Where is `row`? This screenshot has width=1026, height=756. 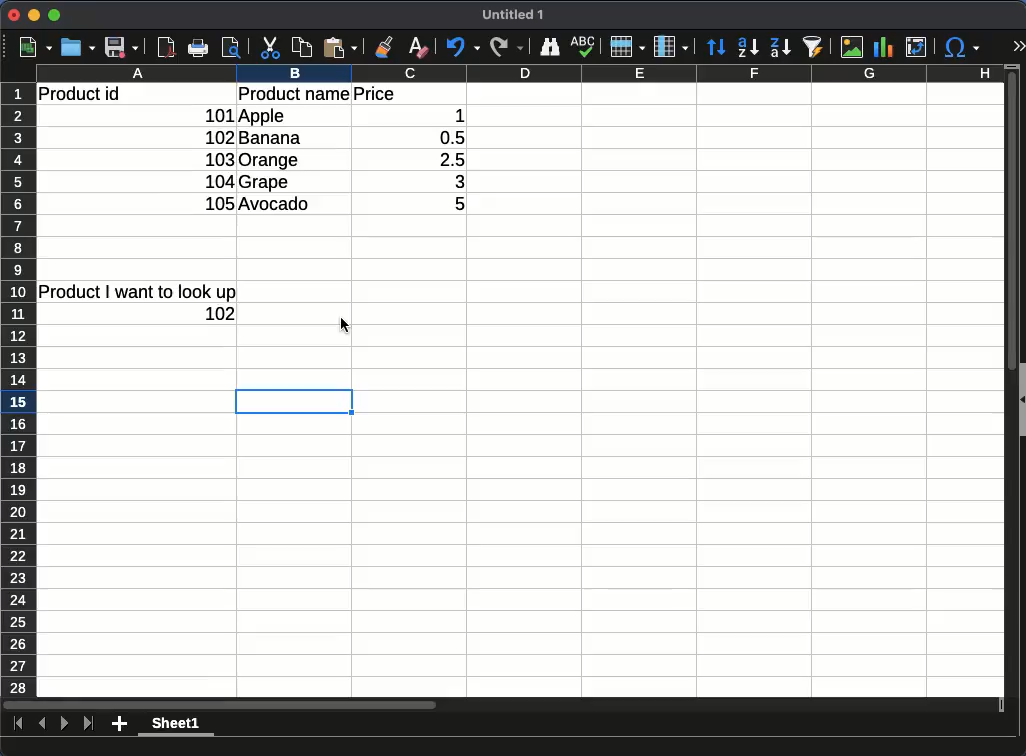 row is located at coordinates (18, 390).